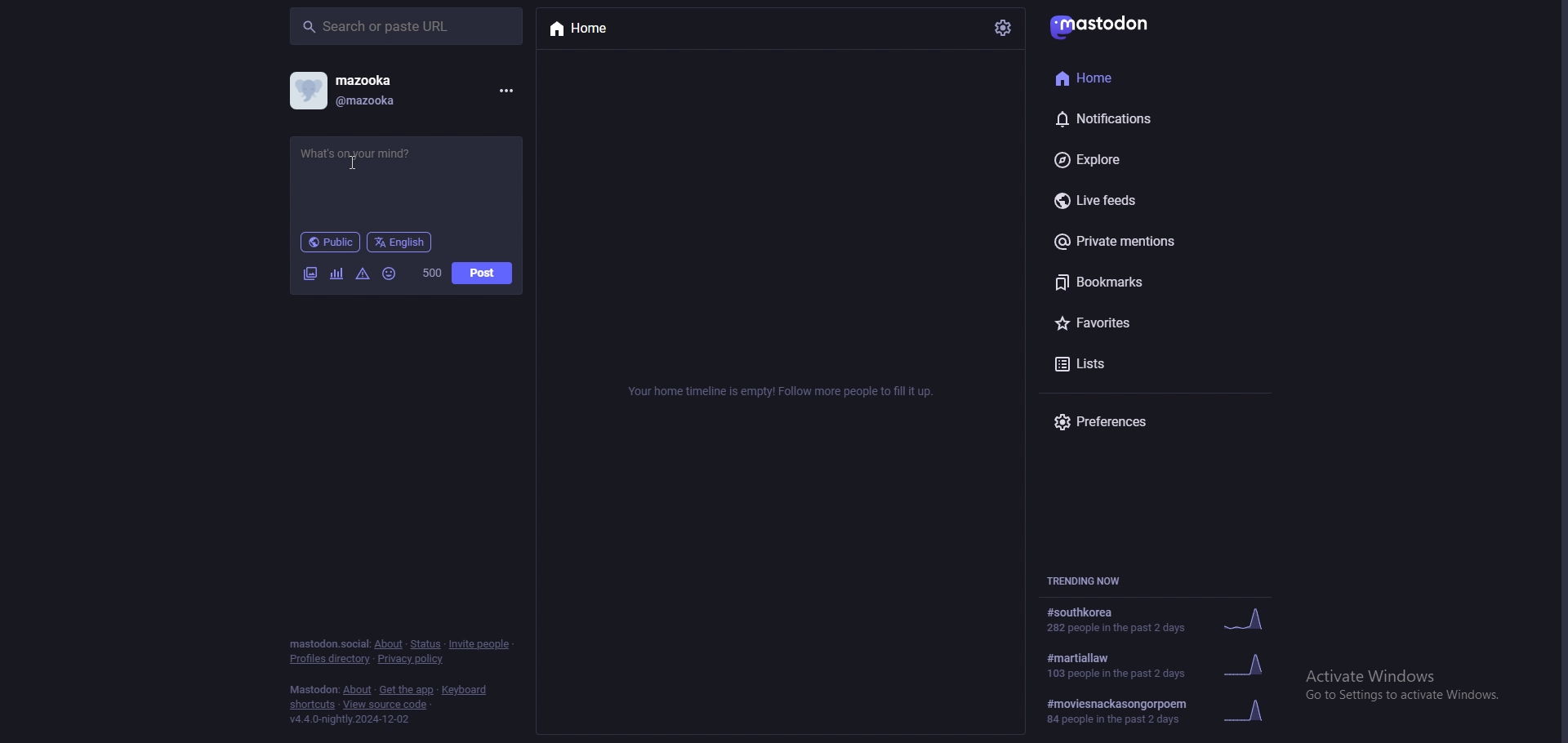 This screenshot has width=1568, height=743. Describe the element at coordinates (313, 690) in the screenshot. I see `mastodon` at that location.